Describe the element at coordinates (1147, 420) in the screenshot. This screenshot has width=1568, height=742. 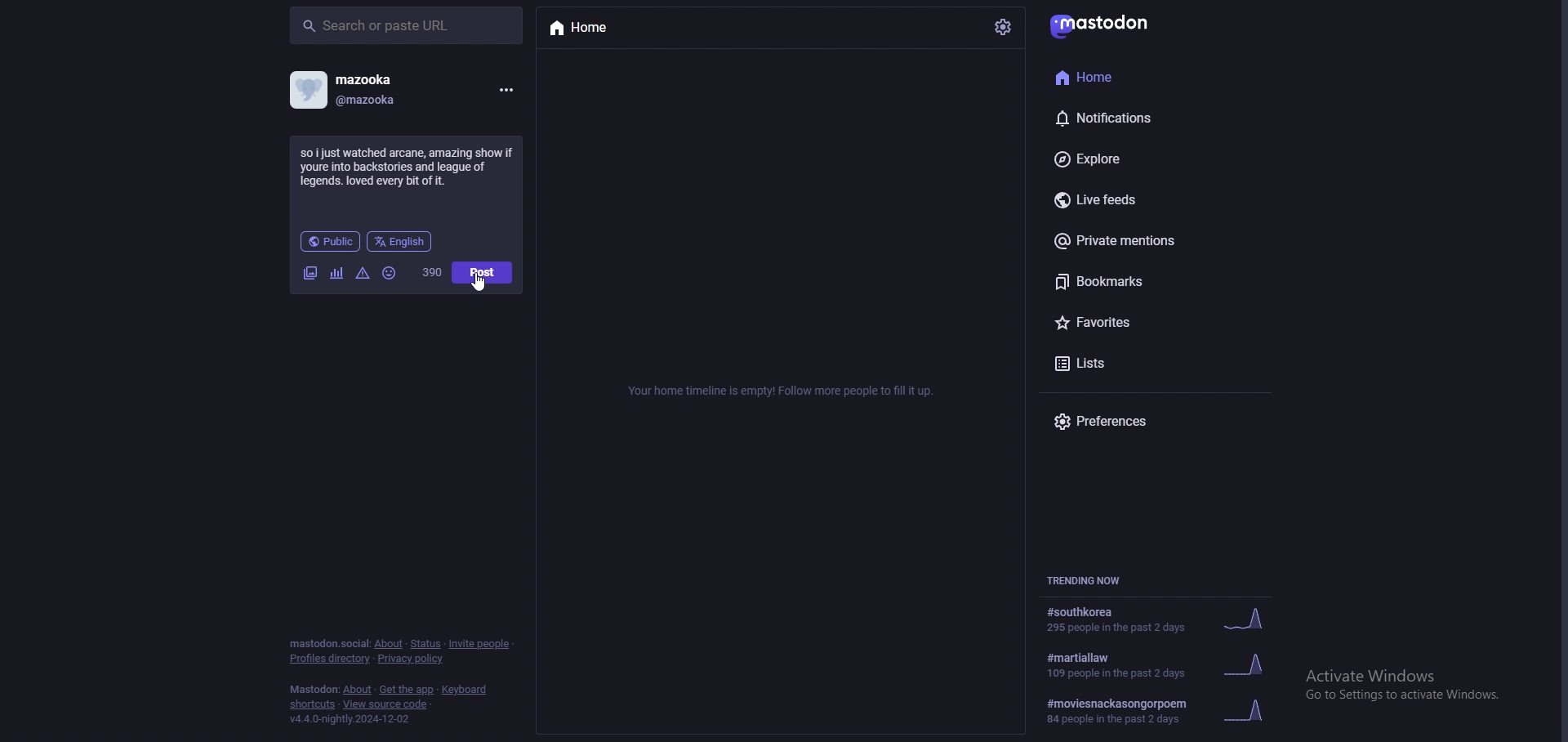
I see `preferences` at that location.